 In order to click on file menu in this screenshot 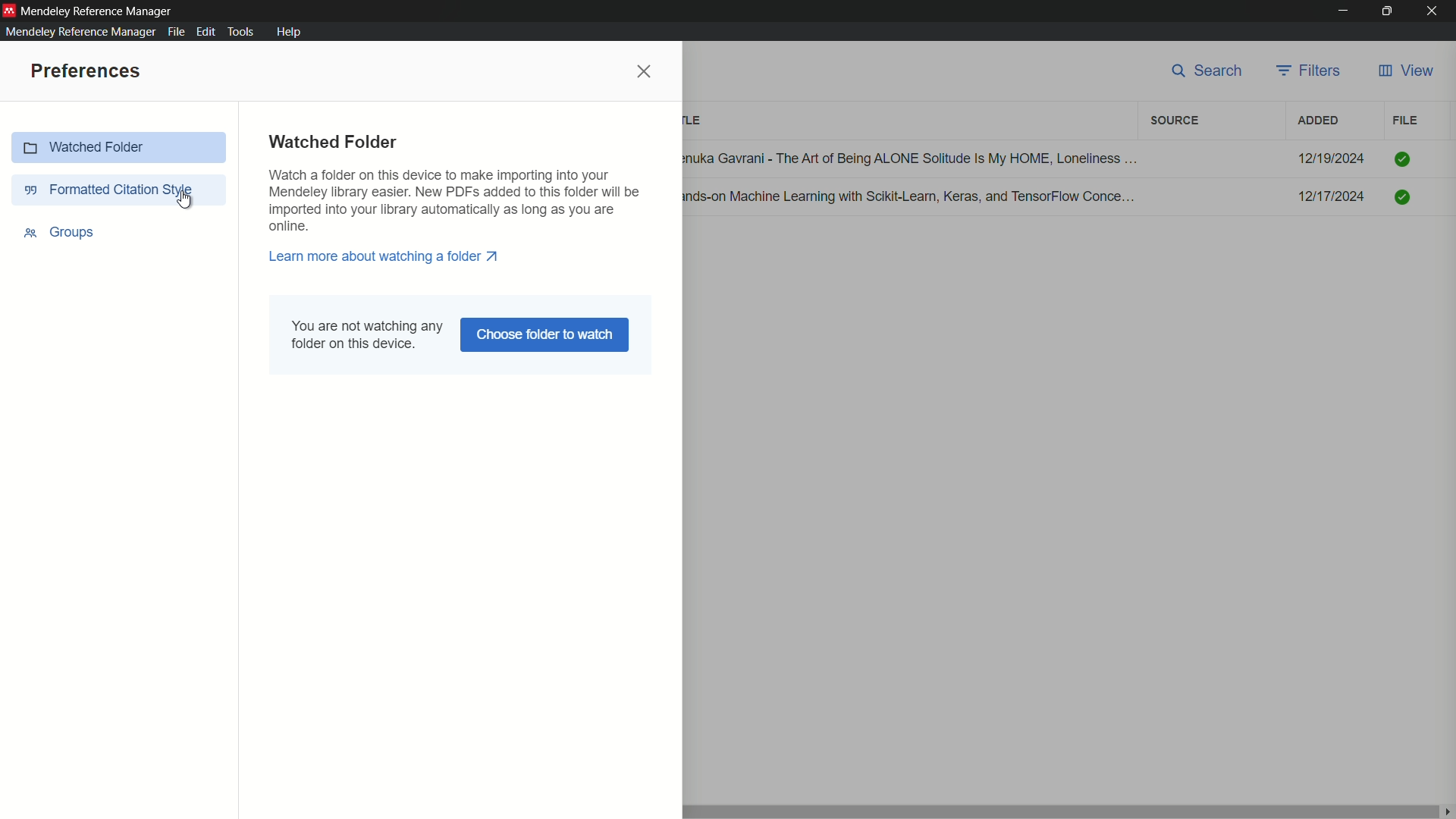, I will do `click(177, 33)`.